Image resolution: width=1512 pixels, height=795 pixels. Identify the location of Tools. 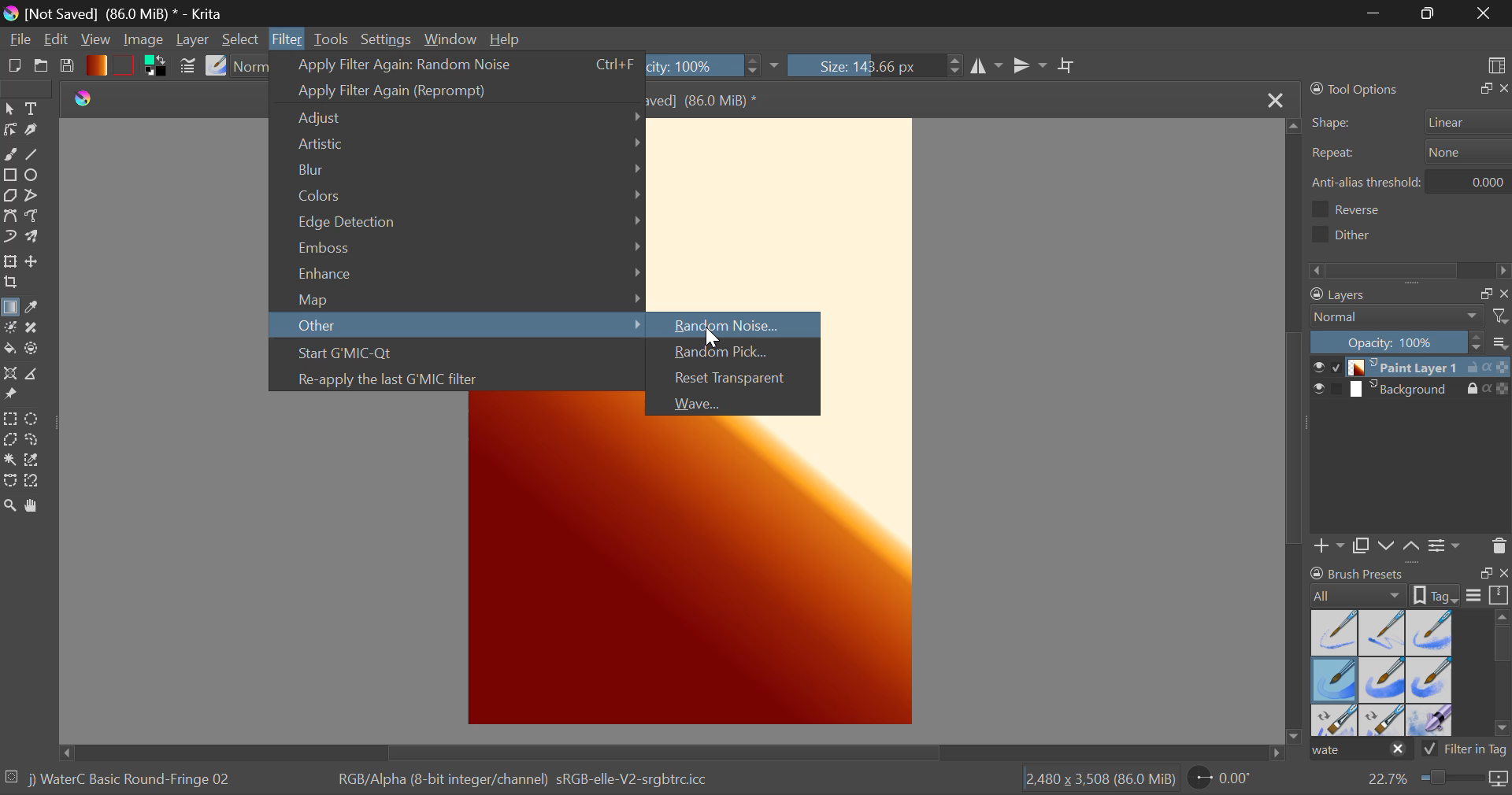
(335, 39).